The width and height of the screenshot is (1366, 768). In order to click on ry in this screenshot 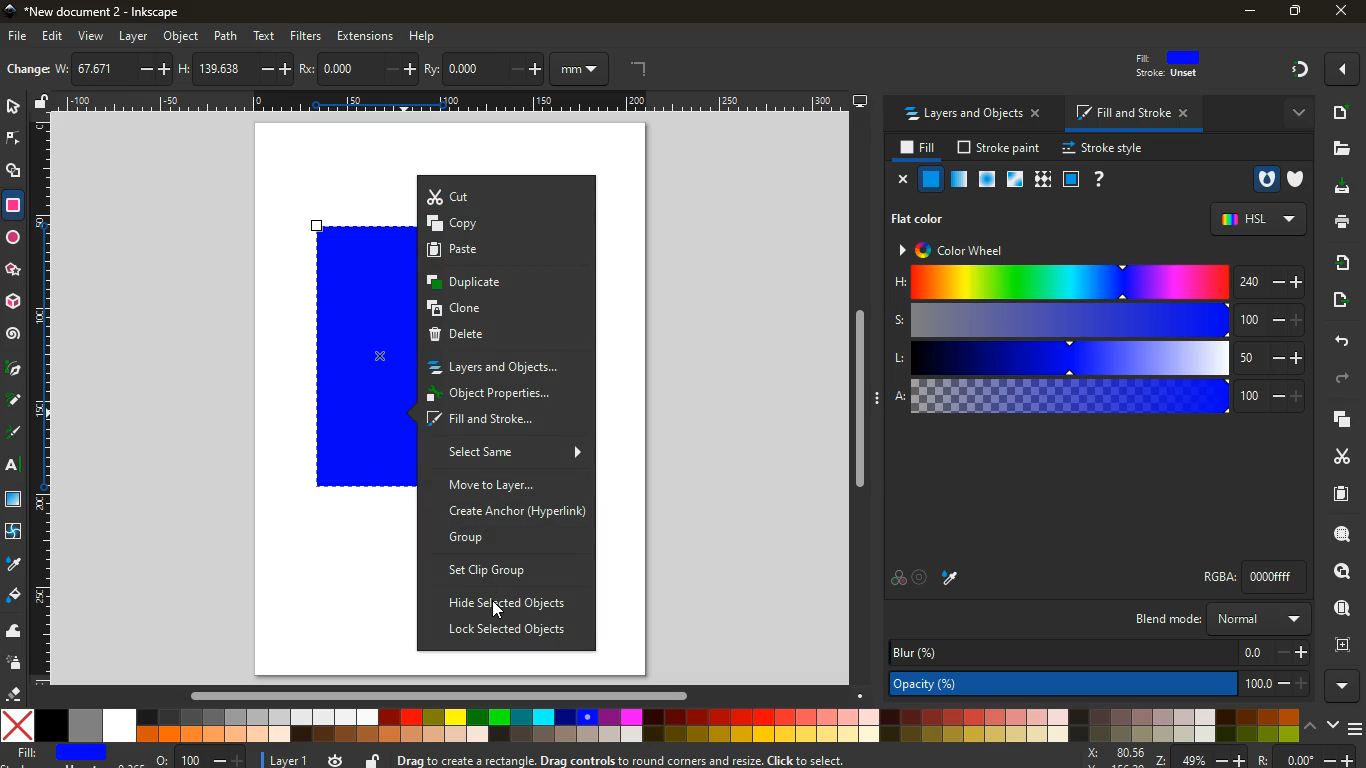, I will do `click(484, 69)`.